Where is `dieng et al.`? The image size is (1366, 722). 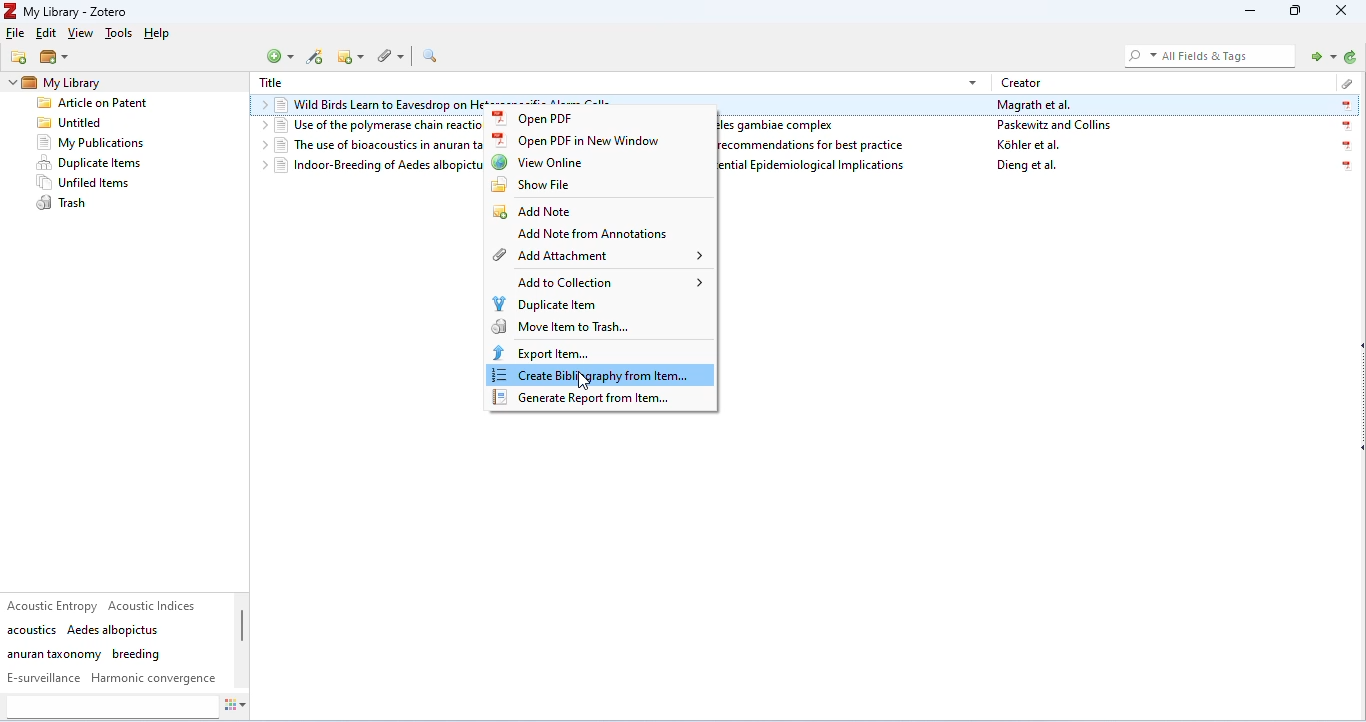
dieng et al. is located at coordinates (1028, 167).